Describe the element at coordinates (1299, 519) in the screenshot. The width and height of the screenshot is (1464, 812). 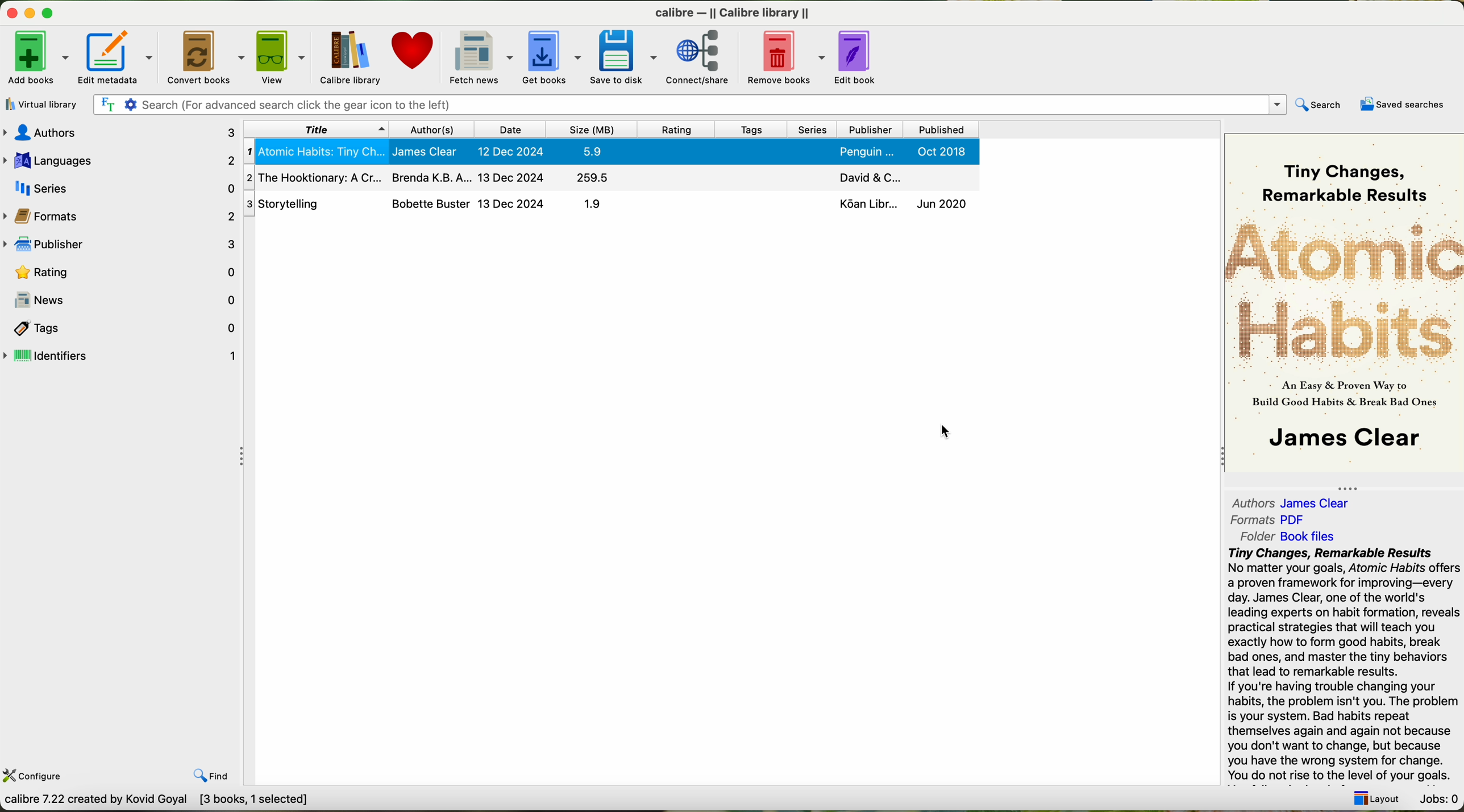
I see `PDF` at that location.